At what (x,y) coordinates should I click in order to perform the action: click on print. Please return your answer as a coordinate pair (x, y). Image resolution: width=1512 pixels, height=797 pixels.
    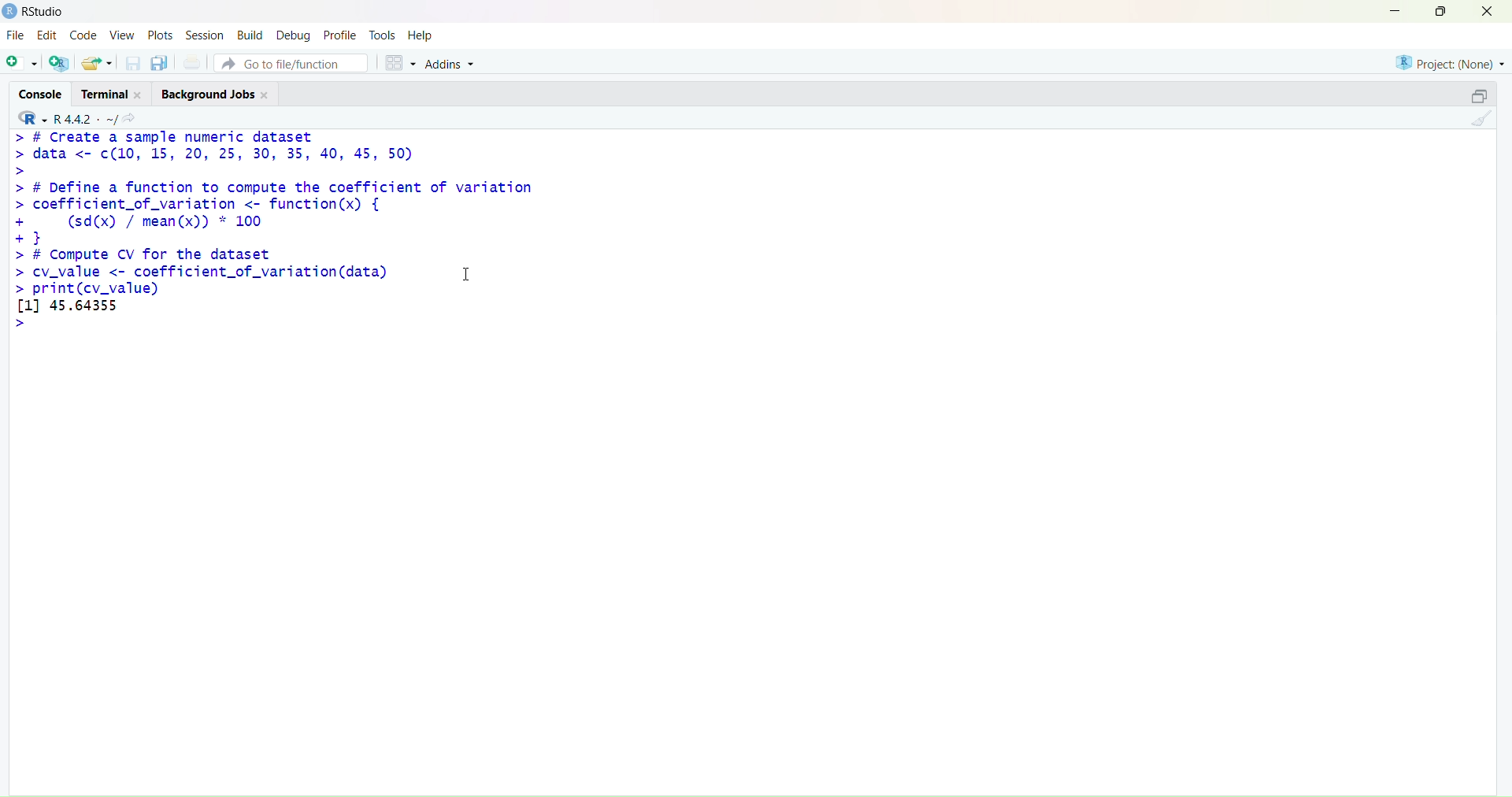
    Looking at the image, I should click on (193, 62).